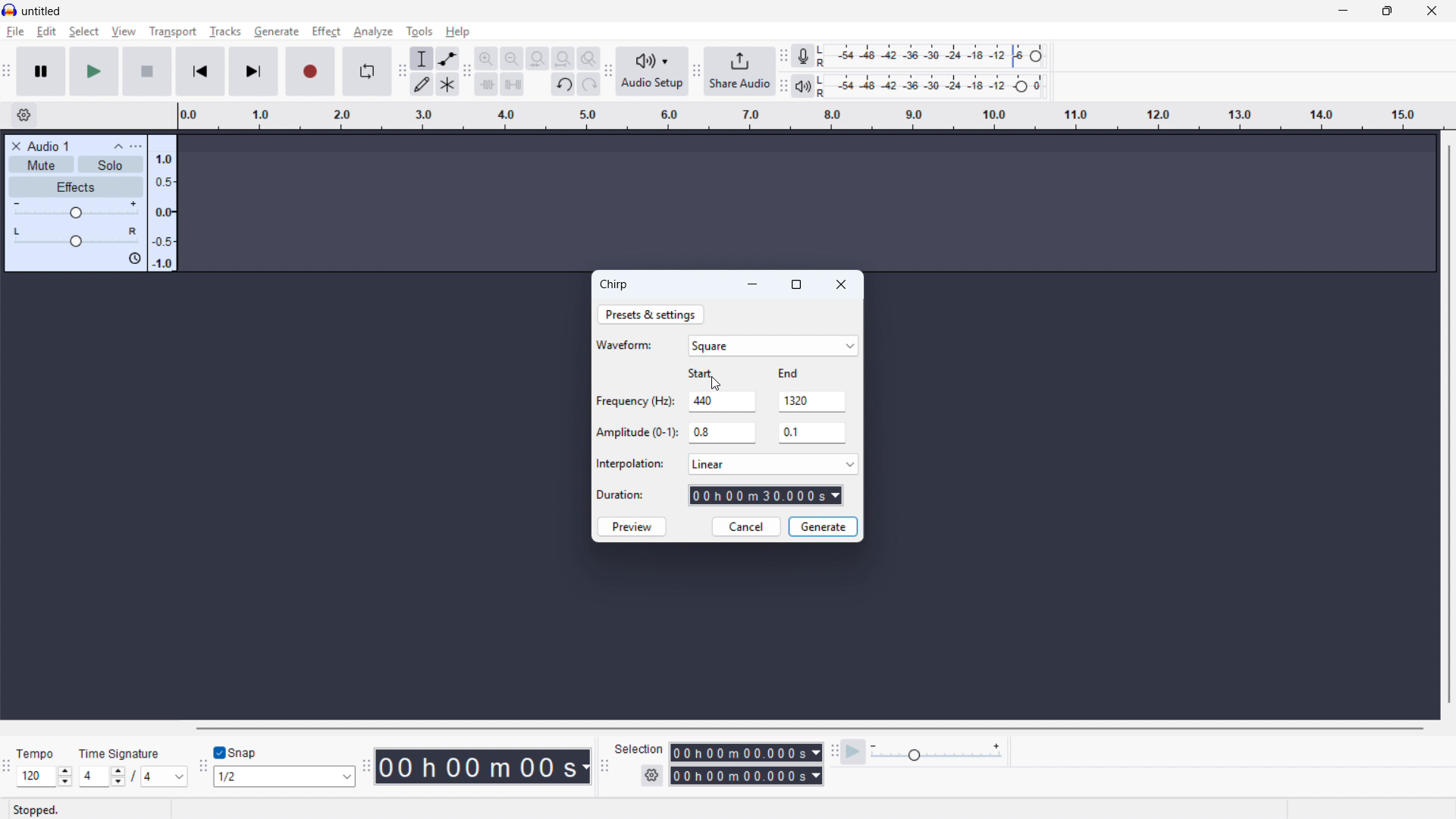 This screenshot has width=1456, height=819. I want to click on Amplitude, so click(162, 203).